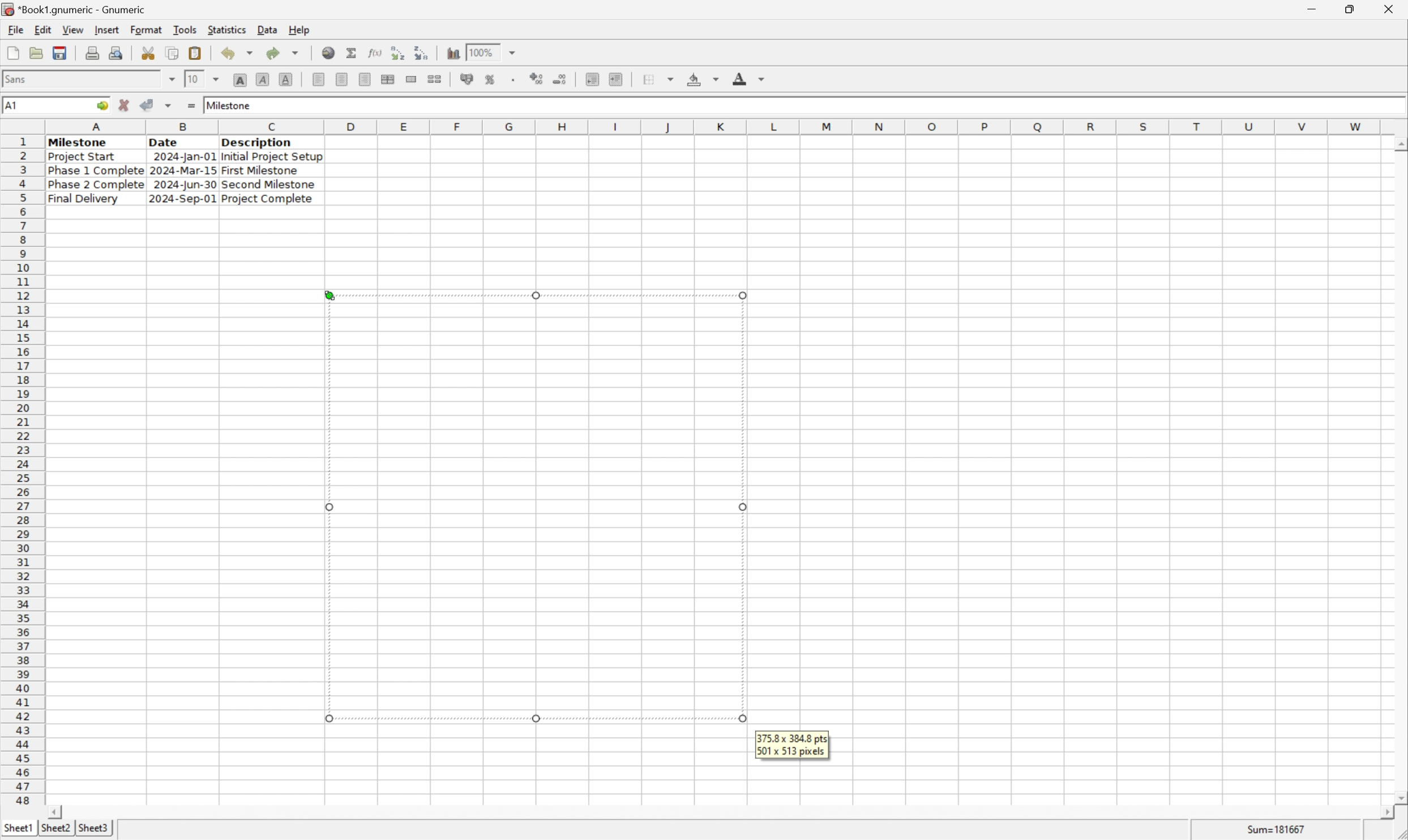 The width and height of the screenshot is (1408, 840). Describe the element at coordinates (562, 80) in the screenshot. I see `decrease number of decimals displayed` at that location.